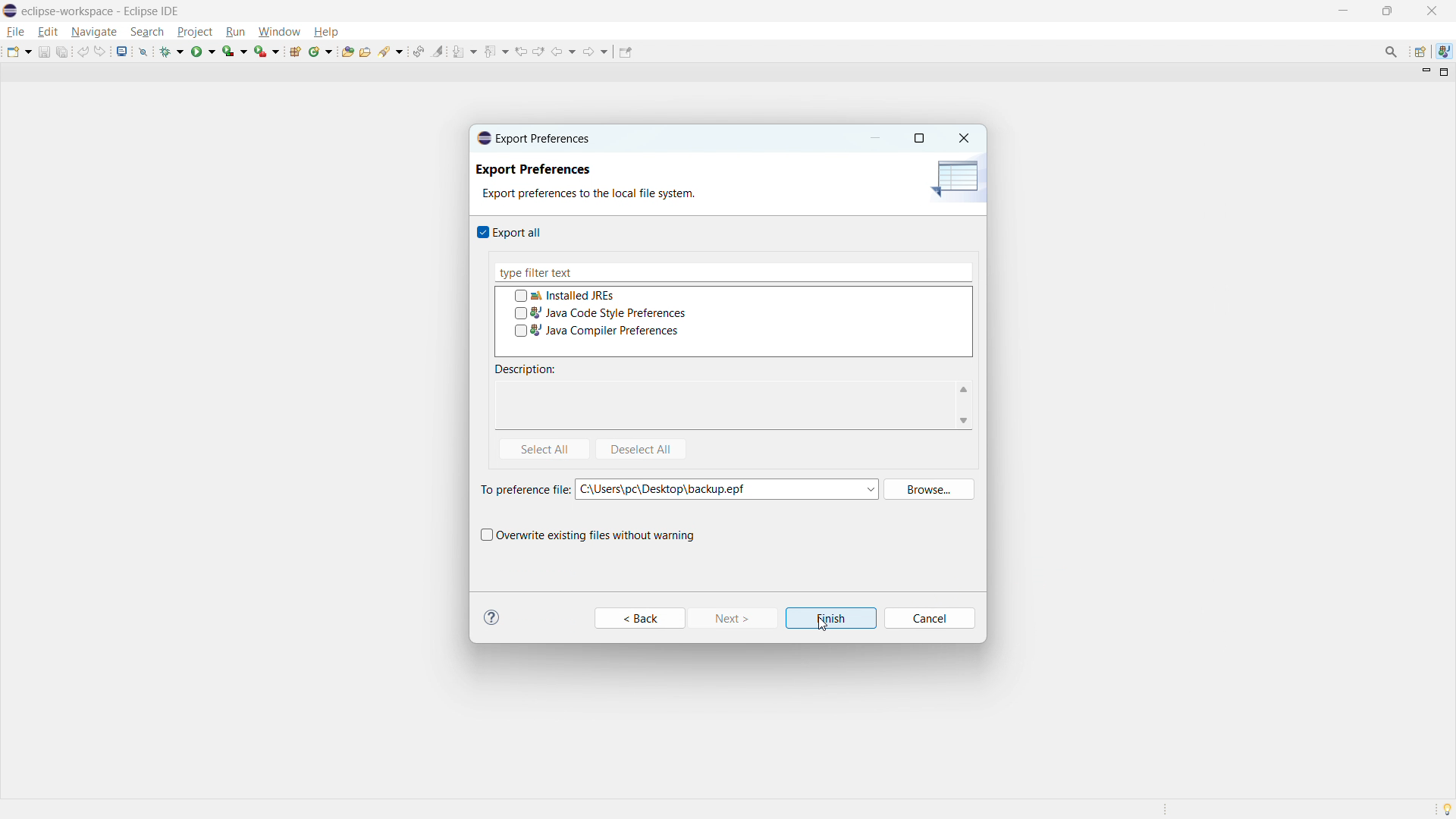 This screenshot has width=1456, height=819. What do you see at coordinates (321, 52) in the screenshot?
I see `new java class` at bounding box center [321, 52].